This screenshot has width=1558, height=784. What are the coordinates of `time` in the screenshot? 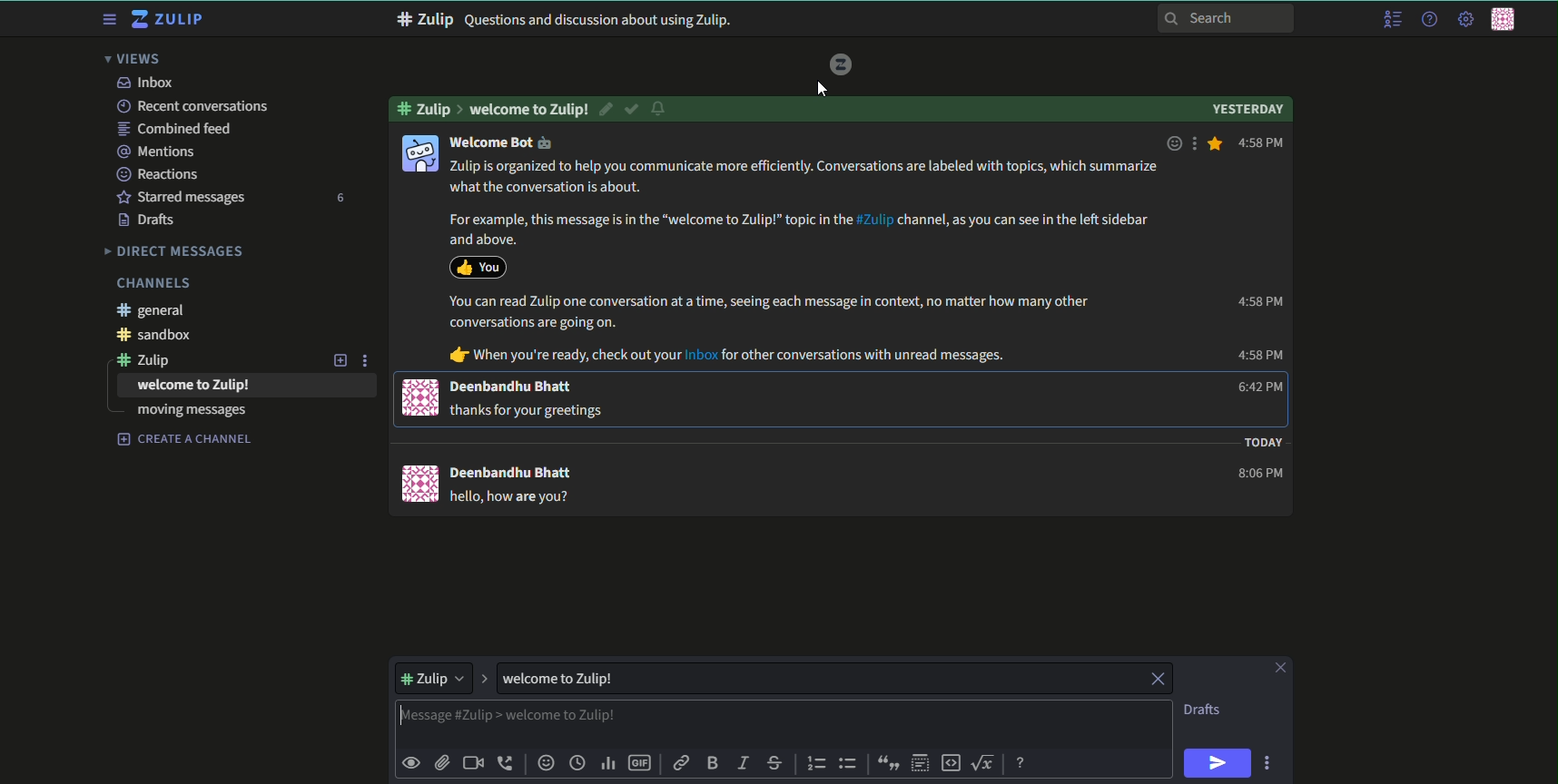 It's located at (579, 764).